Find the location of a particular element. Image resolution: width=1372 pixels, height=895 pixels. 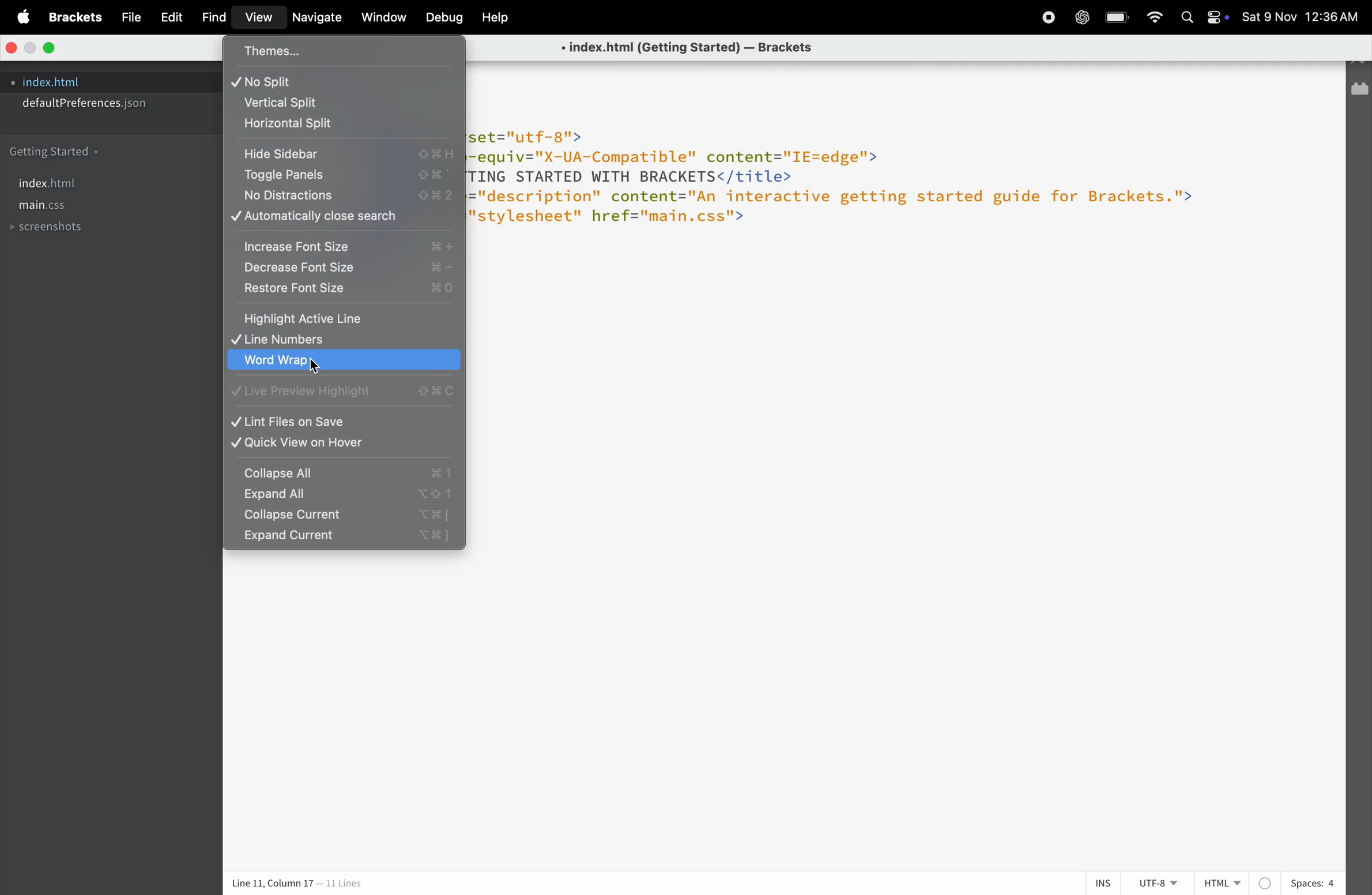

getting started is located at coordinates (61, 149).